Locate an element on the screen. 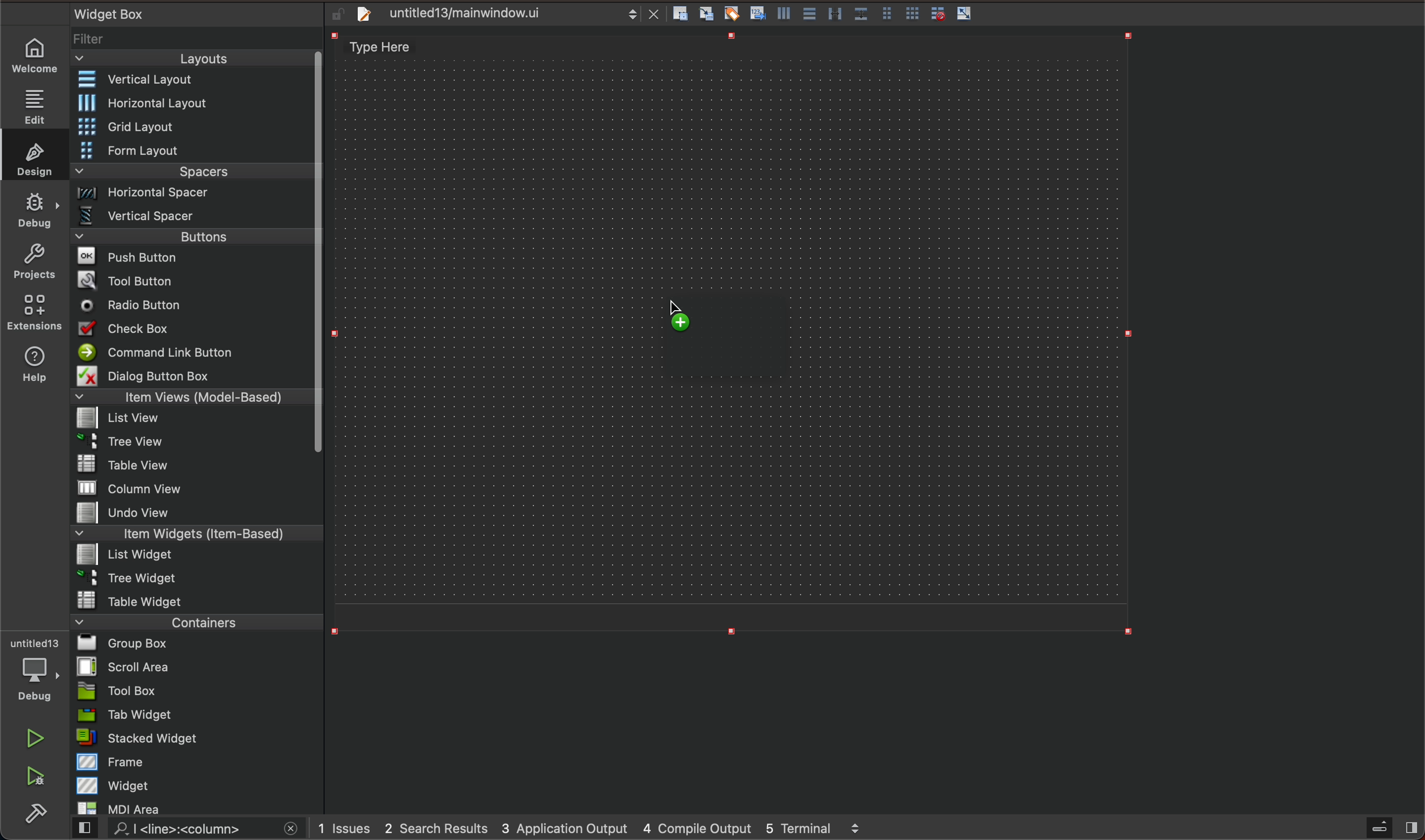  tree view is located at coordinates (194, 443).